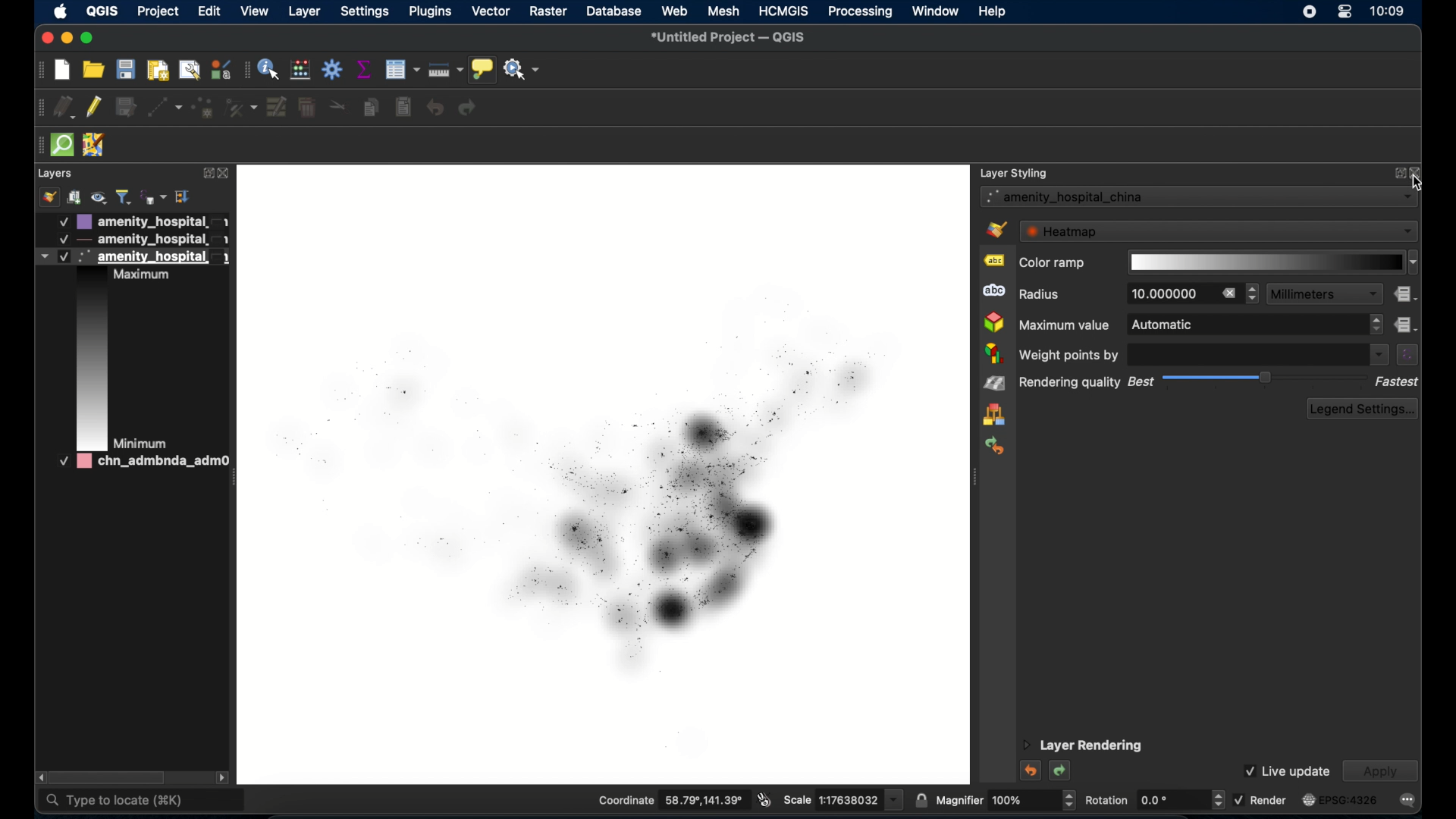  I want to click on abels, so click(994, 262).